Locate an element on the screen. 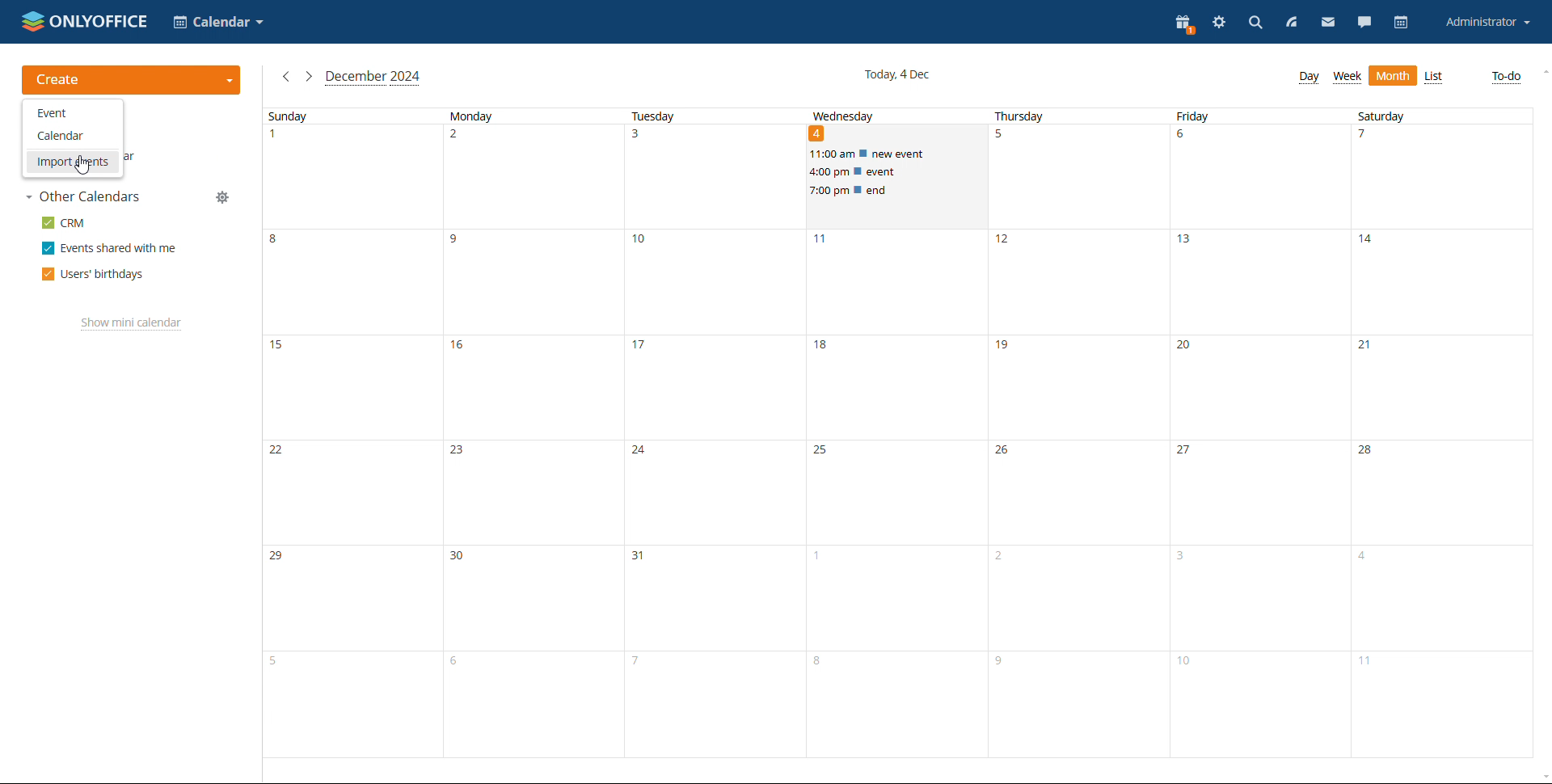 The width and height of the screenshot is (1552, 784). previous month is located at coordinates (287, 78).